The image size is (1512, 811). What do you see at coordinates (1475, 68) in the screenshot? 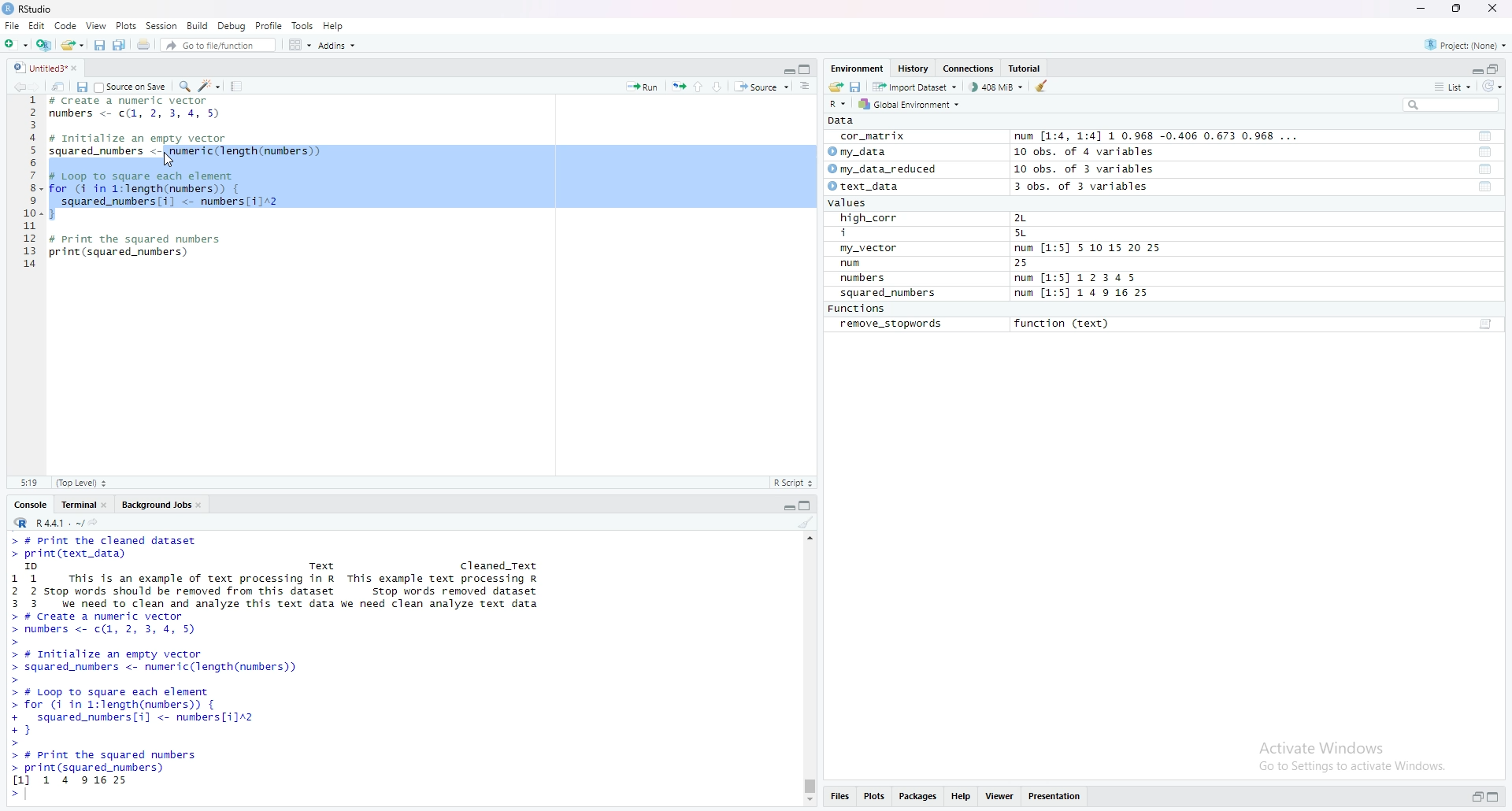
I see `minimize` at bounding box center [1475, 68].